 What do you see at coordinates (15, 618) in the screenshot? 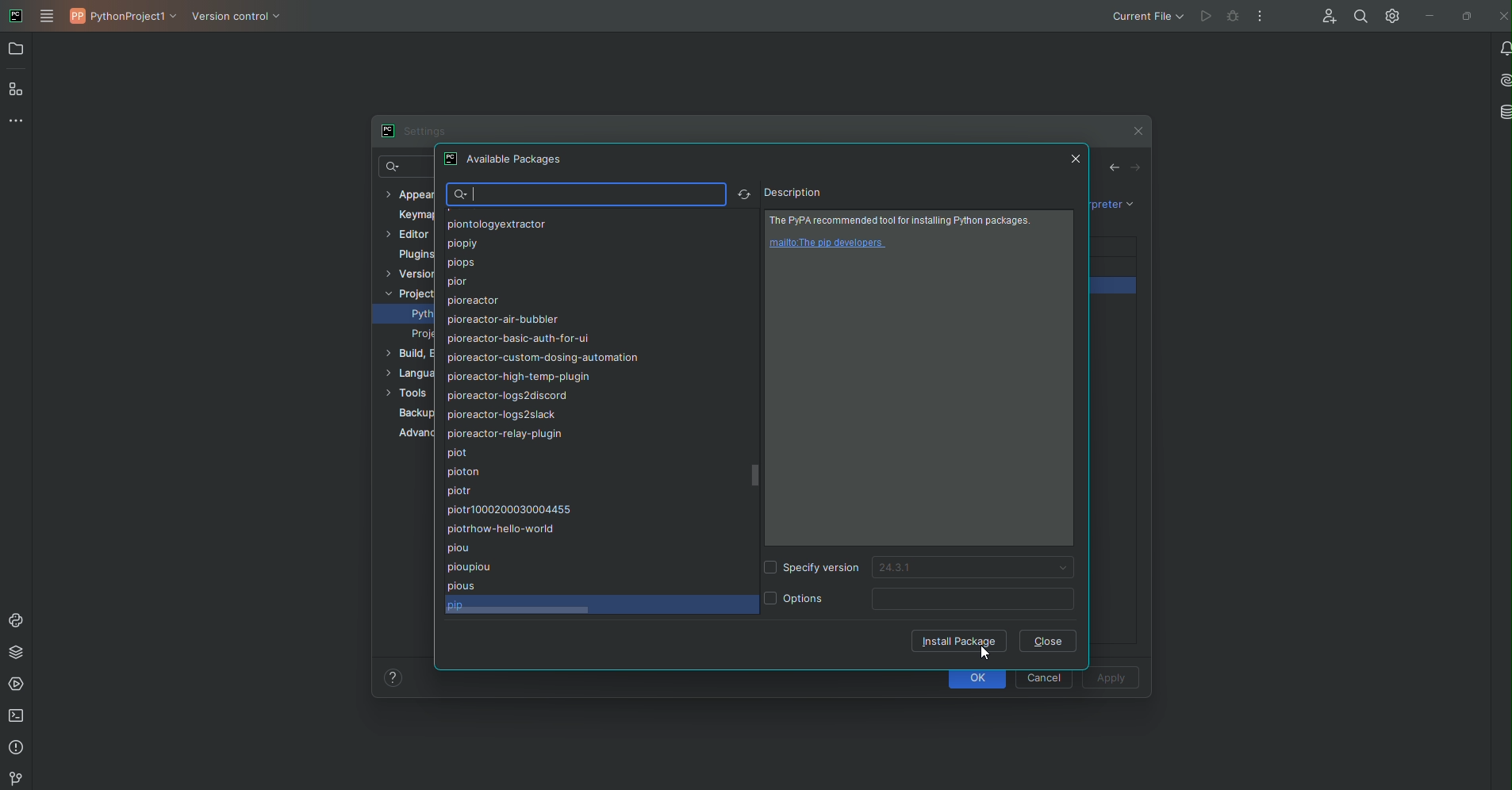
I see `Console` at bounding box center [15, 618].